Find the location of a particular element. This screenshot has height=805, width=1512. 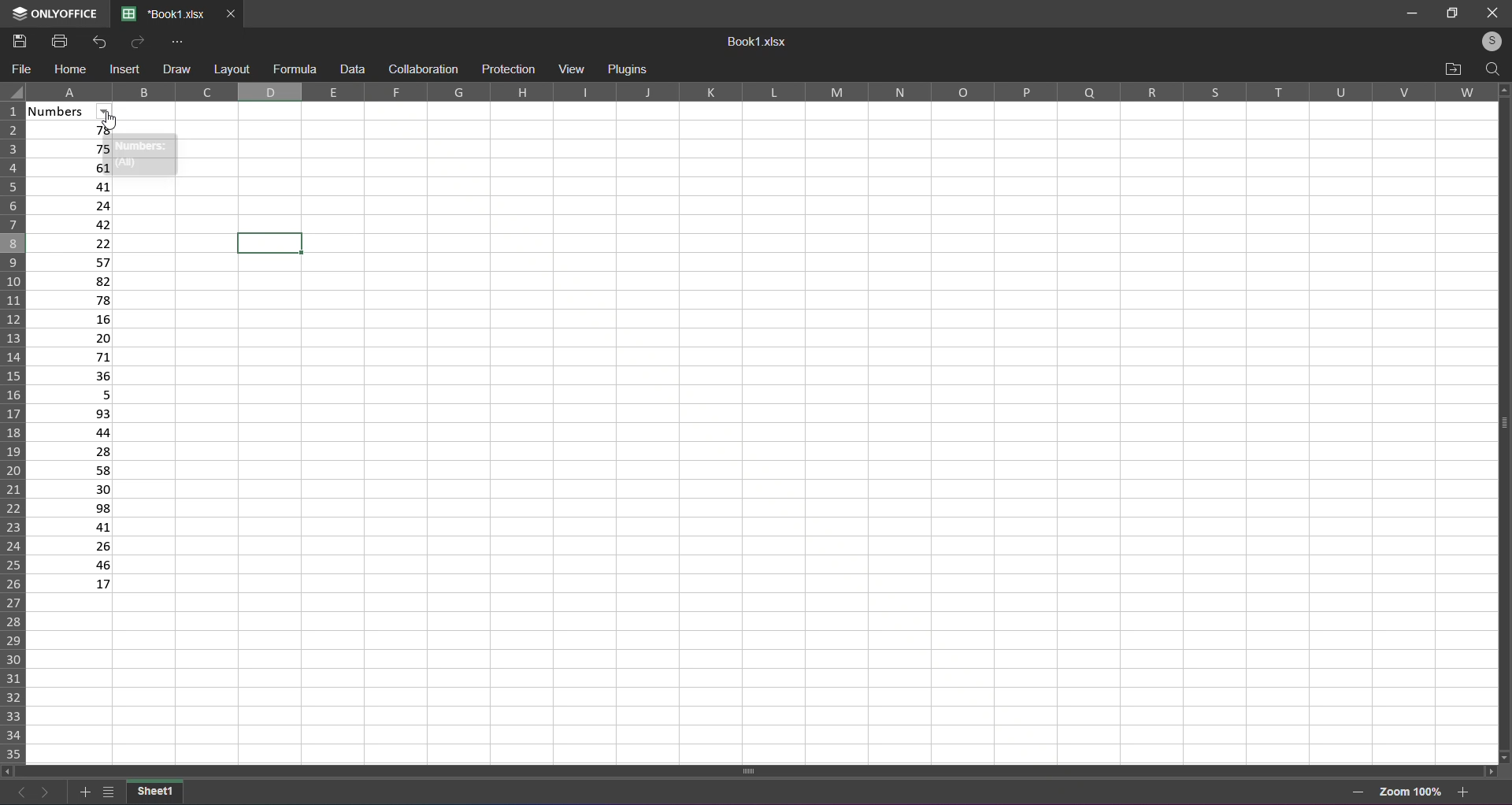

36 is located at coordinates (75, 376).